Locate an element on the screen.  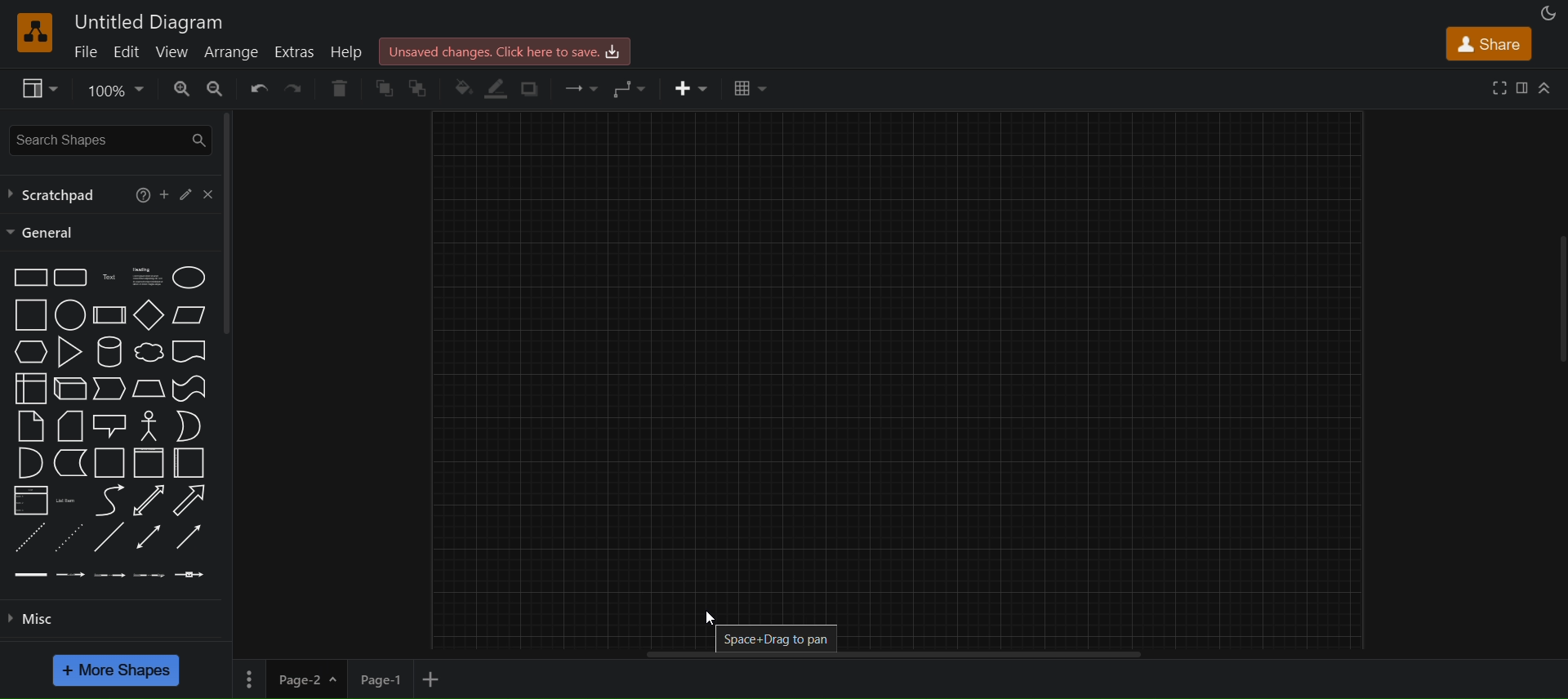
zoom out is located at coordinates (217, 88).